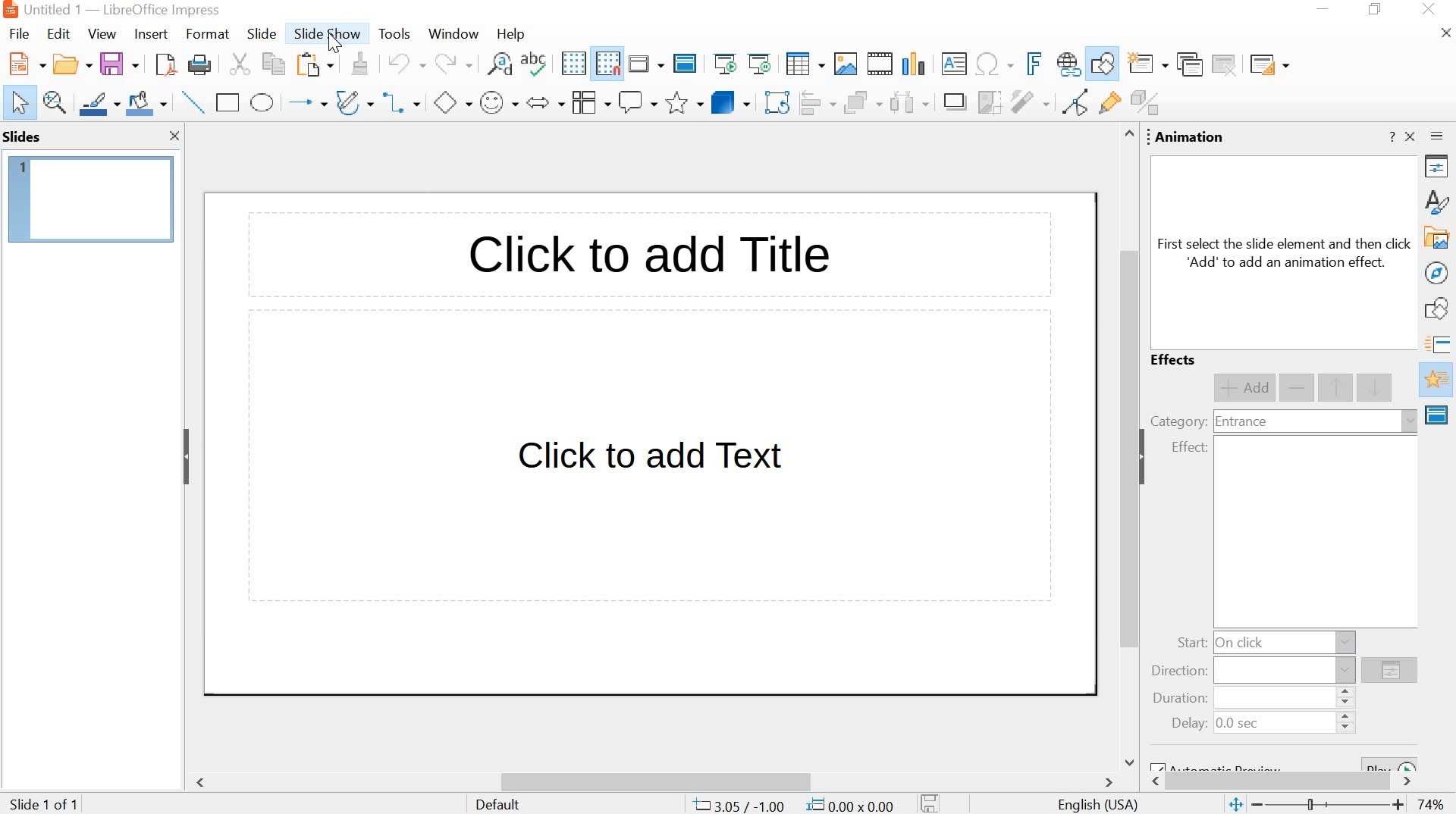 The height and width of the screenshot is (814, 1456). I want to click on styles, so click(1439, 201).